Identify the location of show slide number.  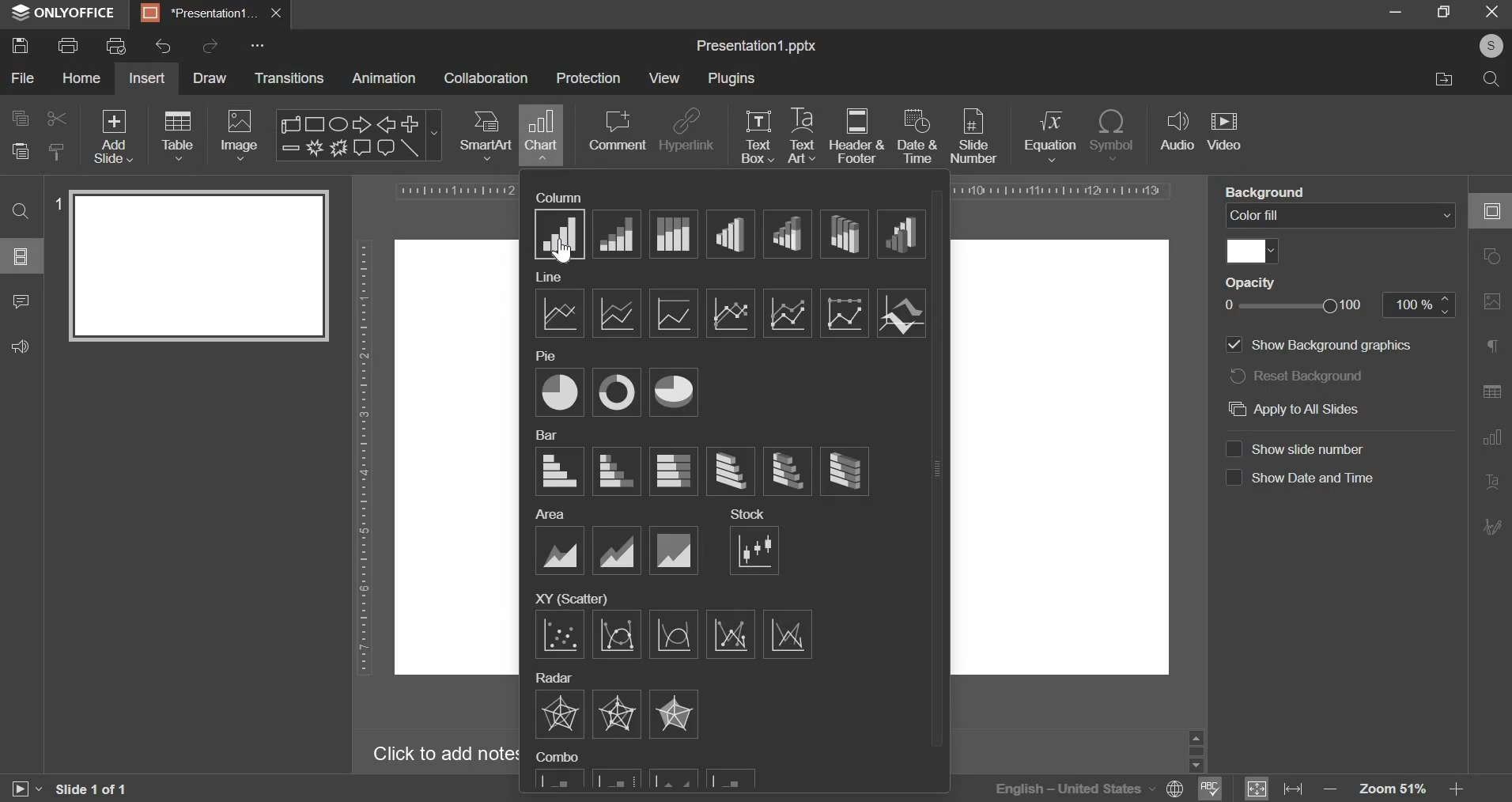
(1308, 448).